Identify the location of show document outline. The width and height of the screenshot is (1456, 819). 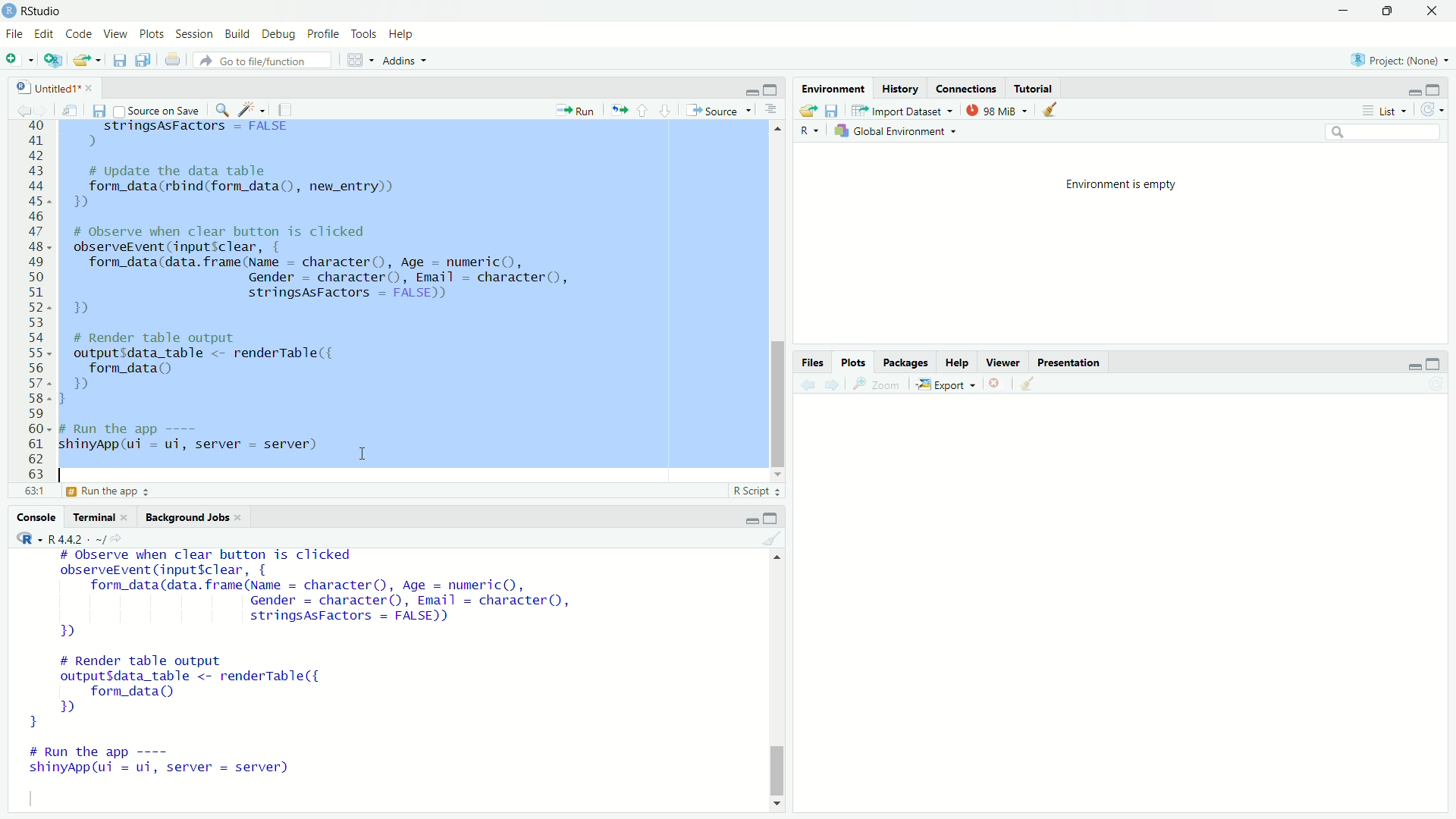
(770, 111).